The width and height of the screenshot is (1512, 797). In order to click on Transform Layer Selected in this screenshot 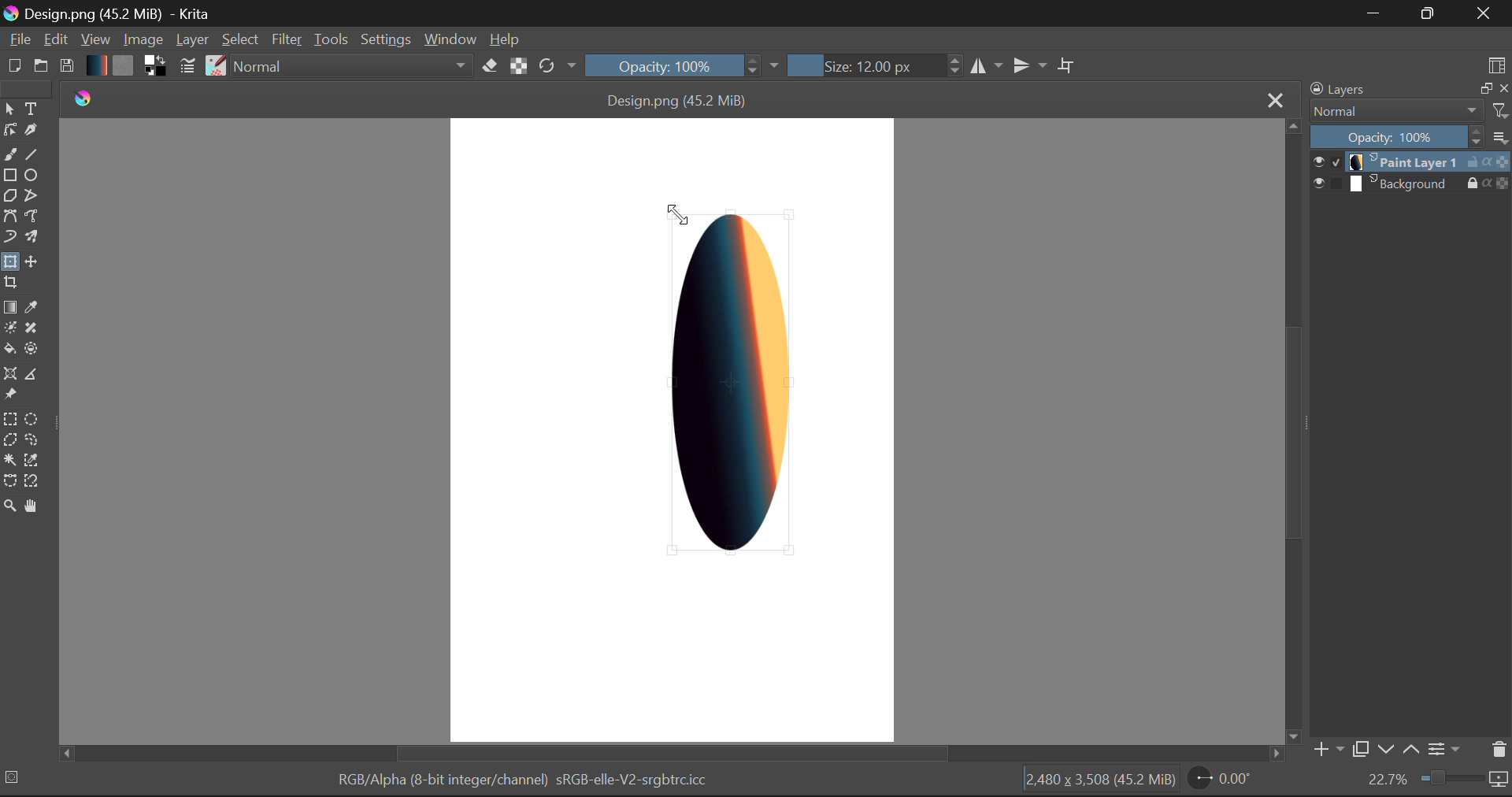, I will do `click(9, 263)`.